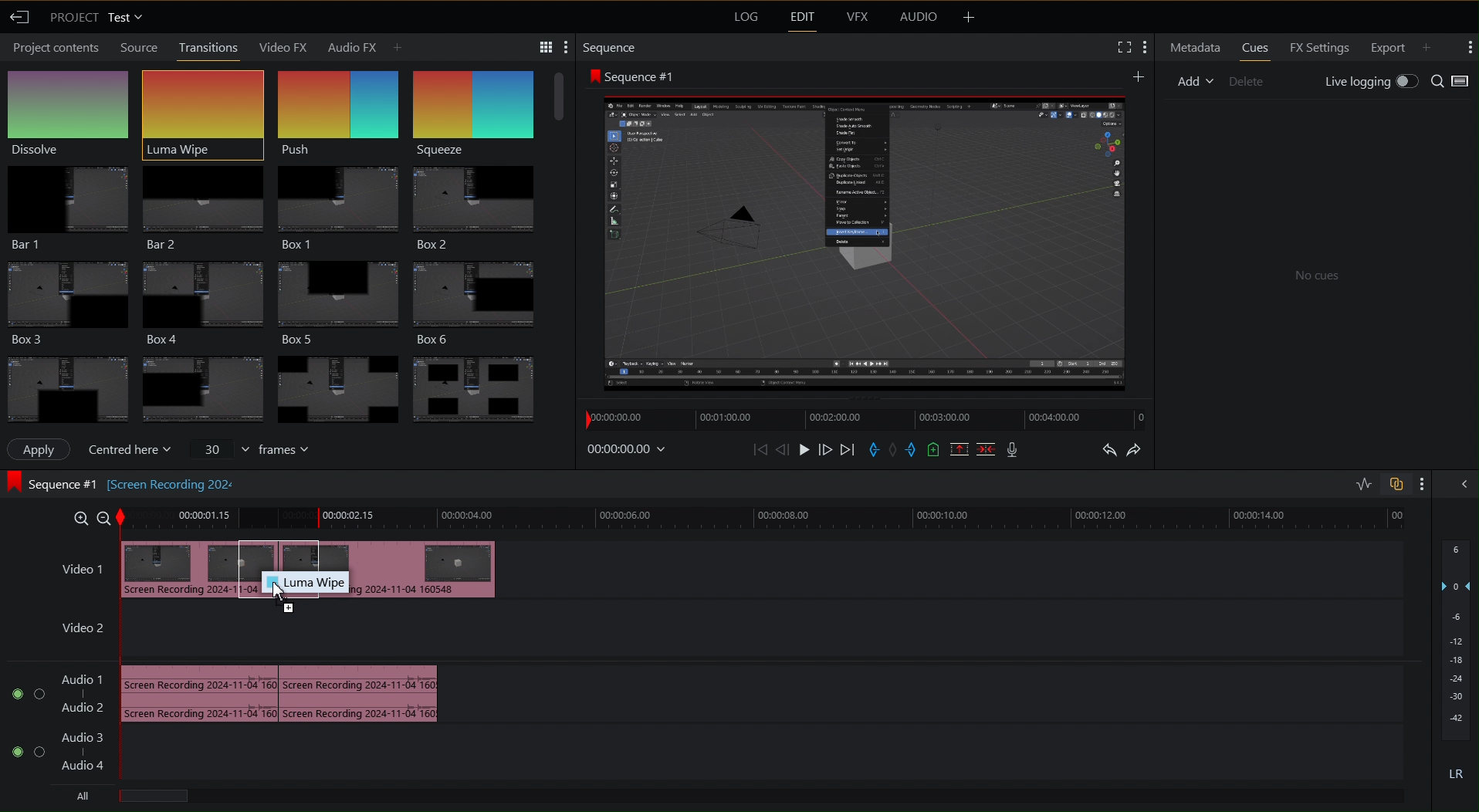  What do you see at coordinates (276, 384) in the screenshot?
I see `Transitions` at bounding box center [276, 384].